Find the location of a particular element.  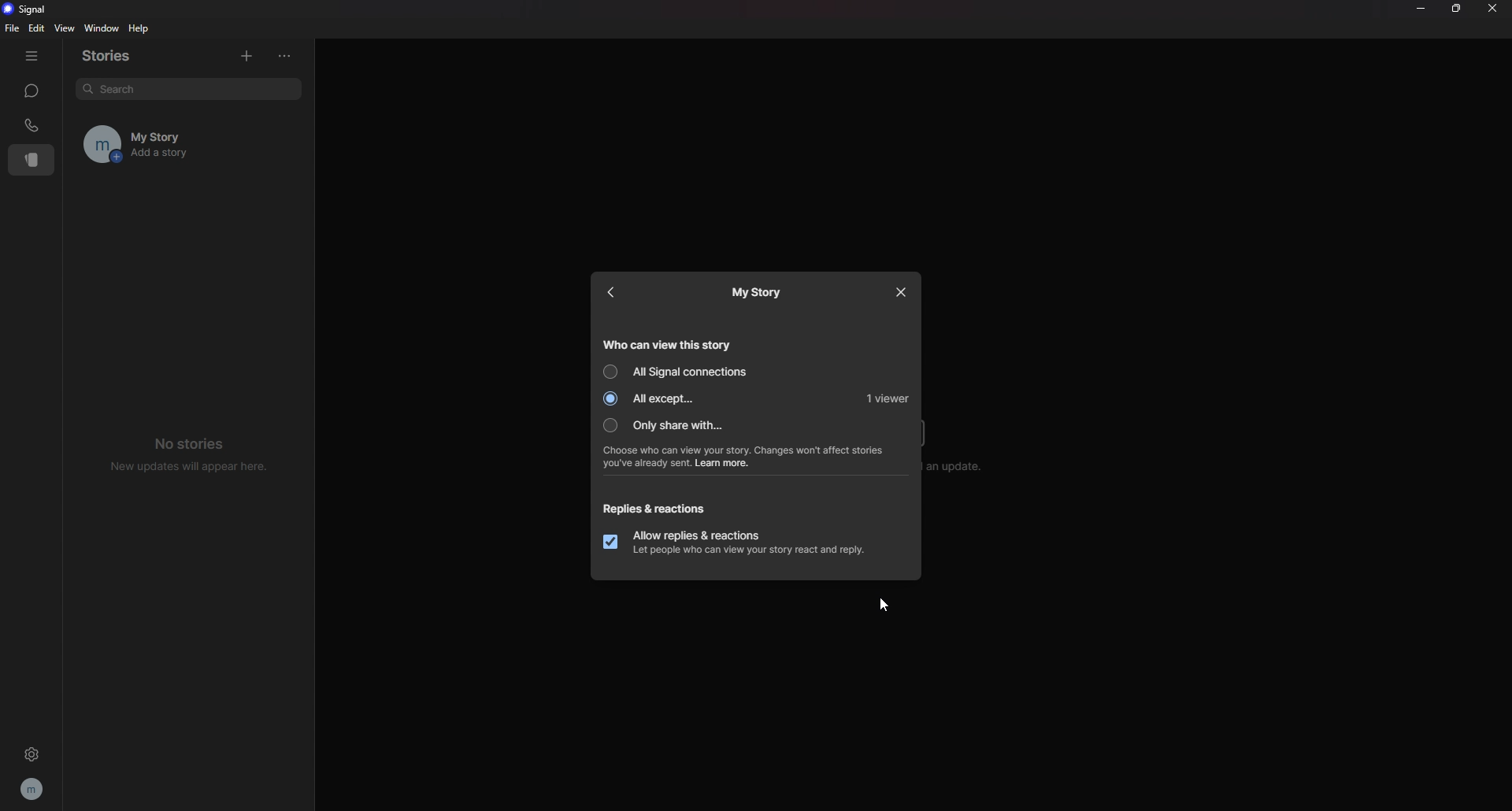

choose who can view your story. changes won't affect stories you've already sent is located at coordinates (758, 457).